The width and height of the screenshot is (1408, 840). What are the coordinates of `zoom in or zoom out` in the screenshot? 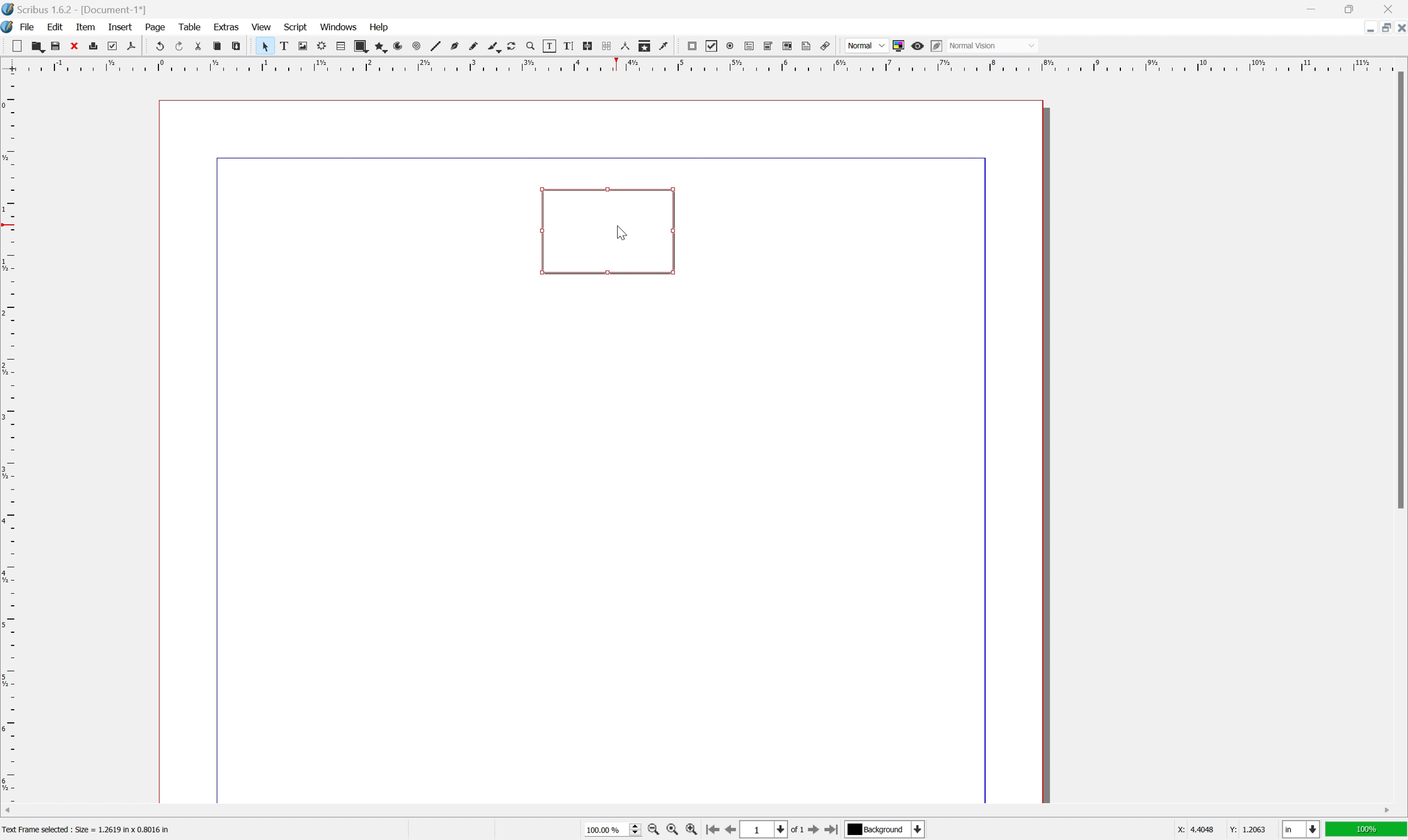 It's located at (532, 46).